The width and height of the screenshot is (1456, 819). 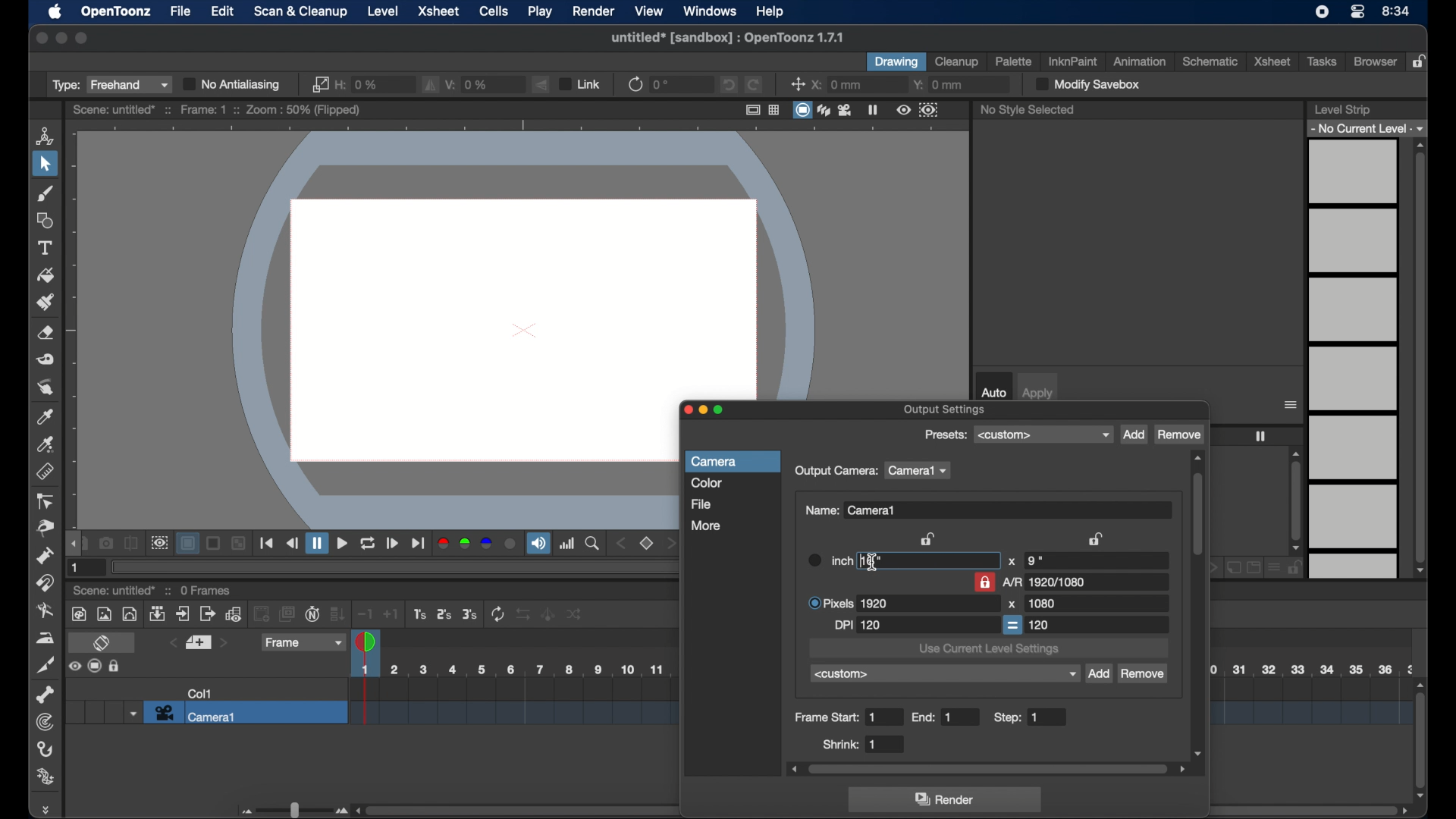 What do you see at coordinates (42, 555) in the screenshot?
I see `pump tool` at bounding box center [42, 555].